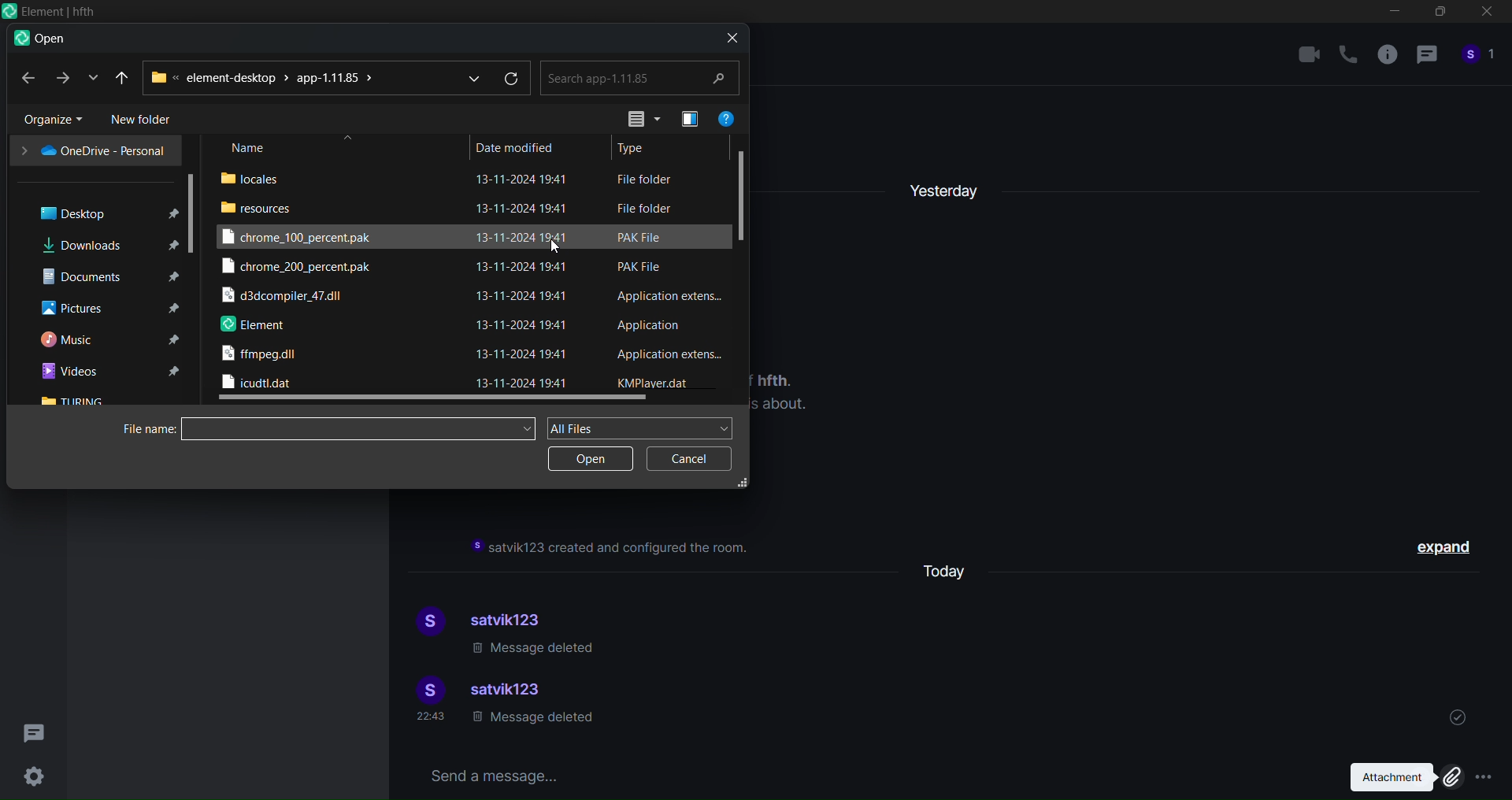  What do you see at coordinates (298, 269) in the screenshot?
I see `chrome 200` at bounding box center [298, 269].